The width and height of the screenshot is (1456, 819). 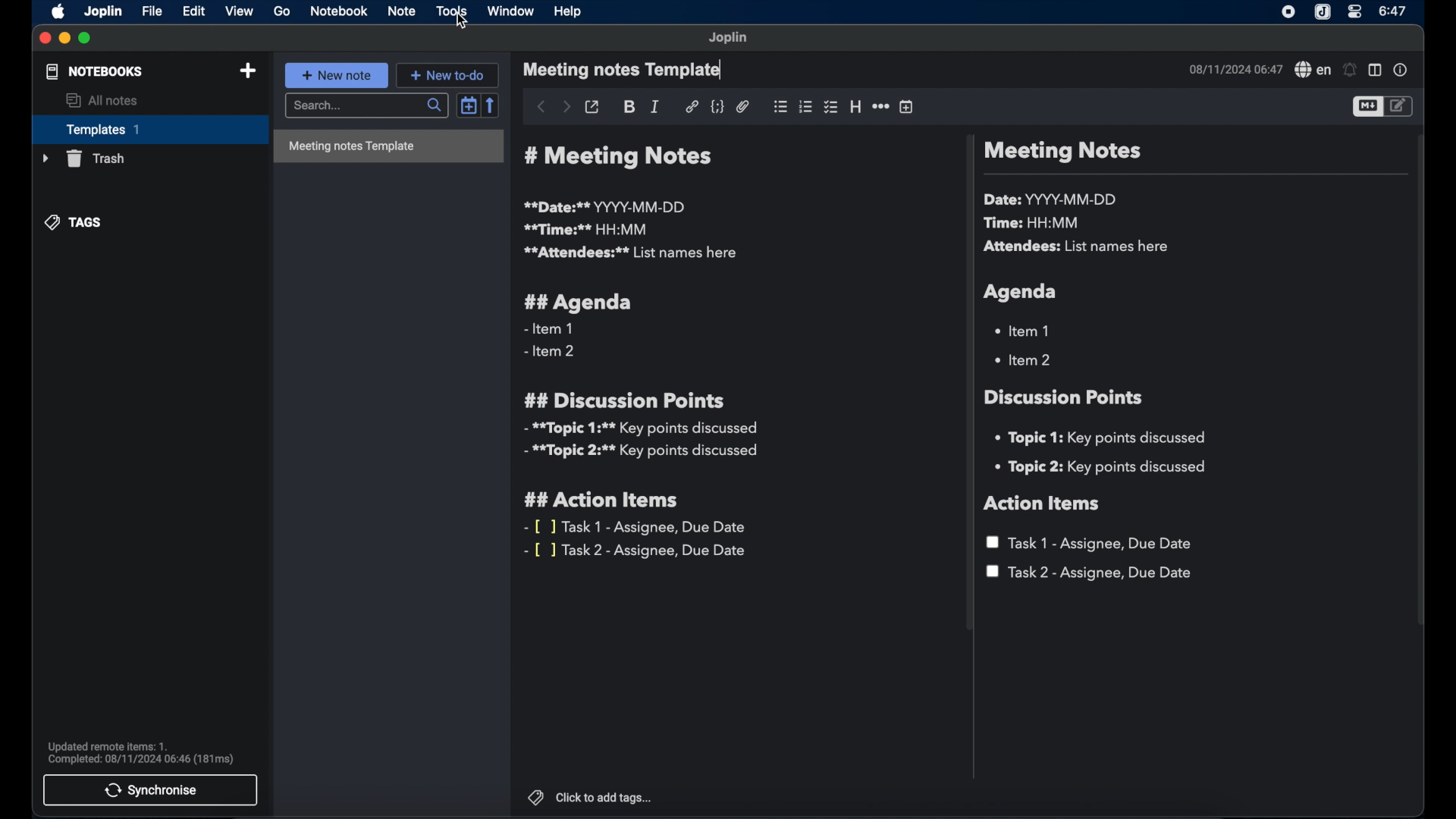 What do you see at coordinates (1402, 71) in the screenshot?
I see `note properties` at bounding box center [1402, 71].